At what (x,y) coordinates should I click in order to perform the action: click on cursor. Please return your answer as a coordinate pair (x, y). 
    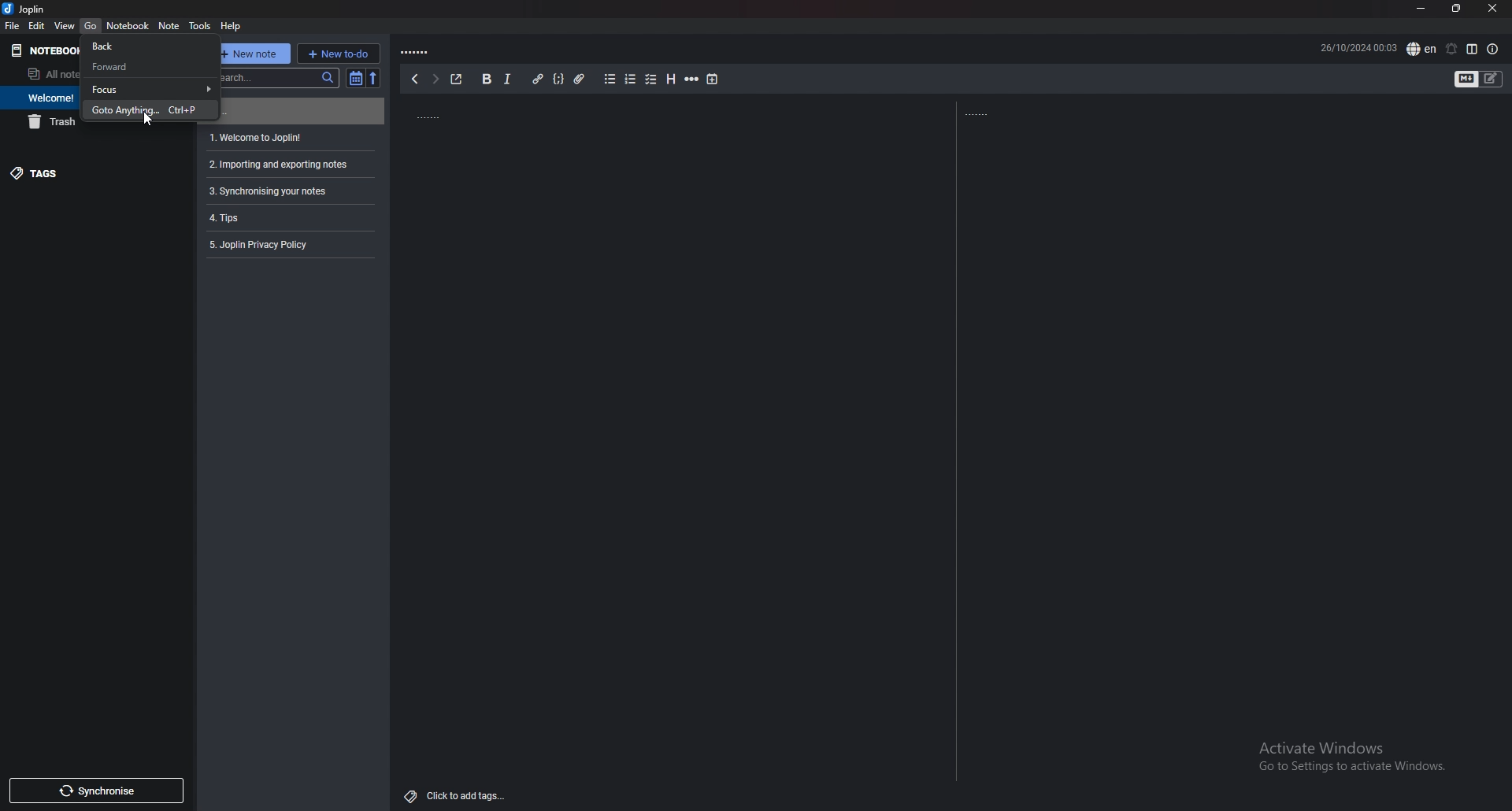
    Looking at the image, I should click on (149, 121).